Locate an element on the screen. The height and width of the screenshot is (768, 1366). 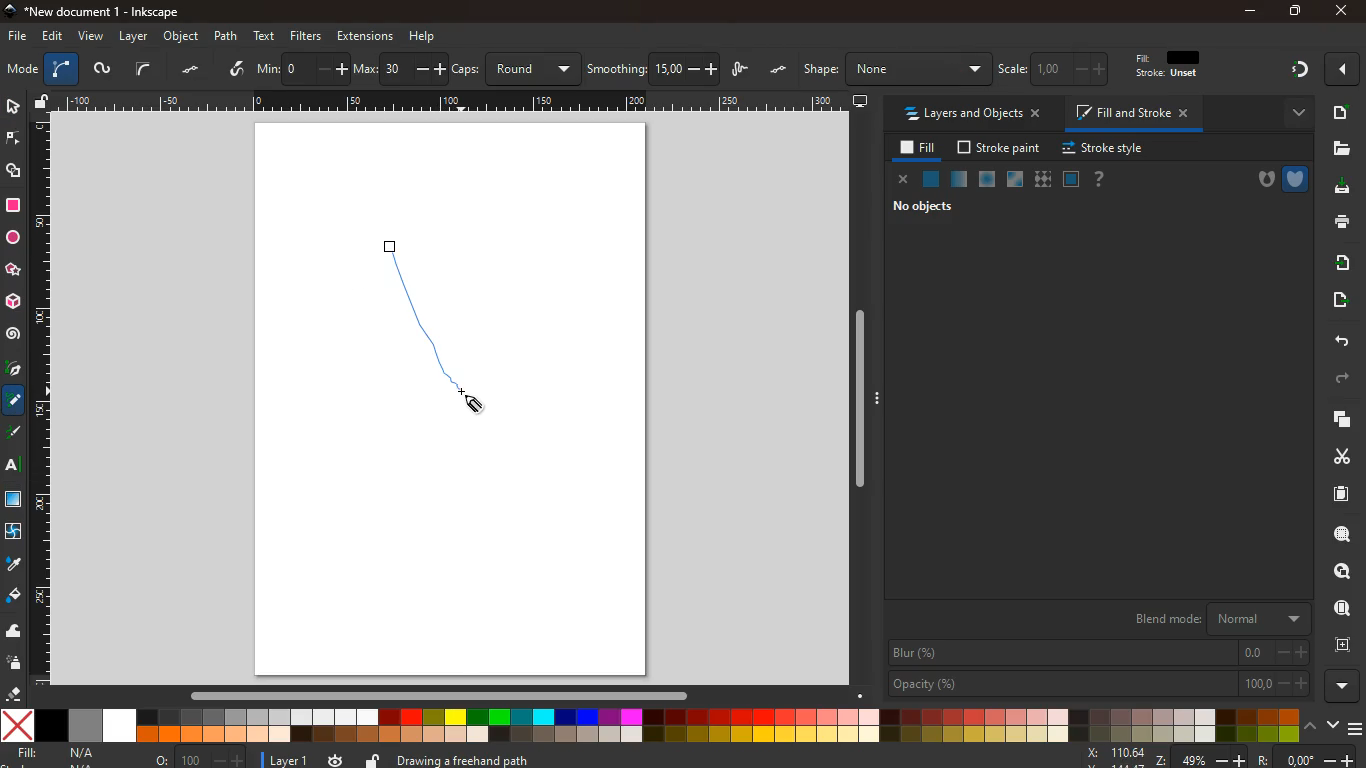
path is located at coordinates (225, 36).